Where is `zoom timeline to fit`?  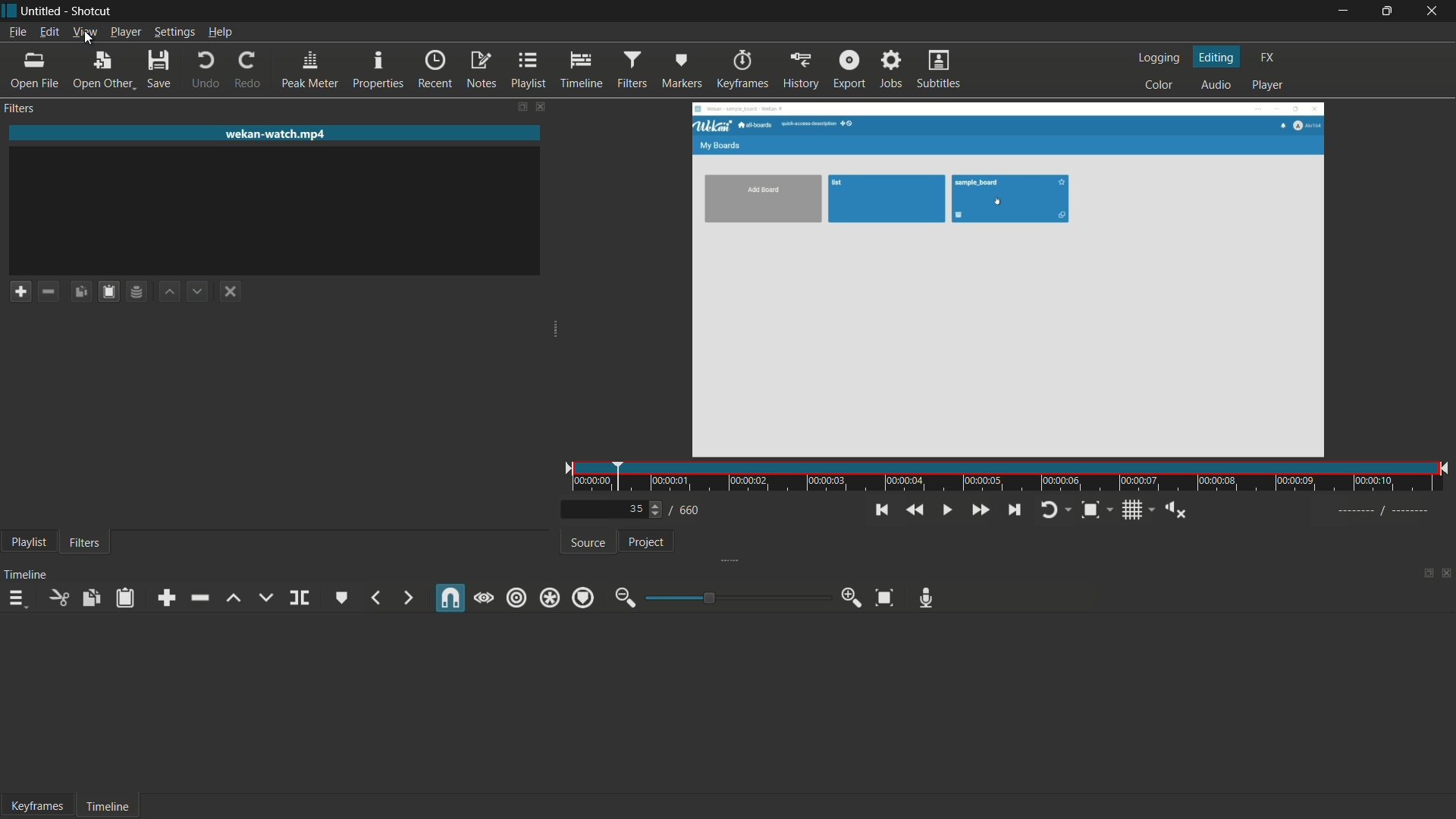 zoom timeline to fit is located at coordinates (885, 599).